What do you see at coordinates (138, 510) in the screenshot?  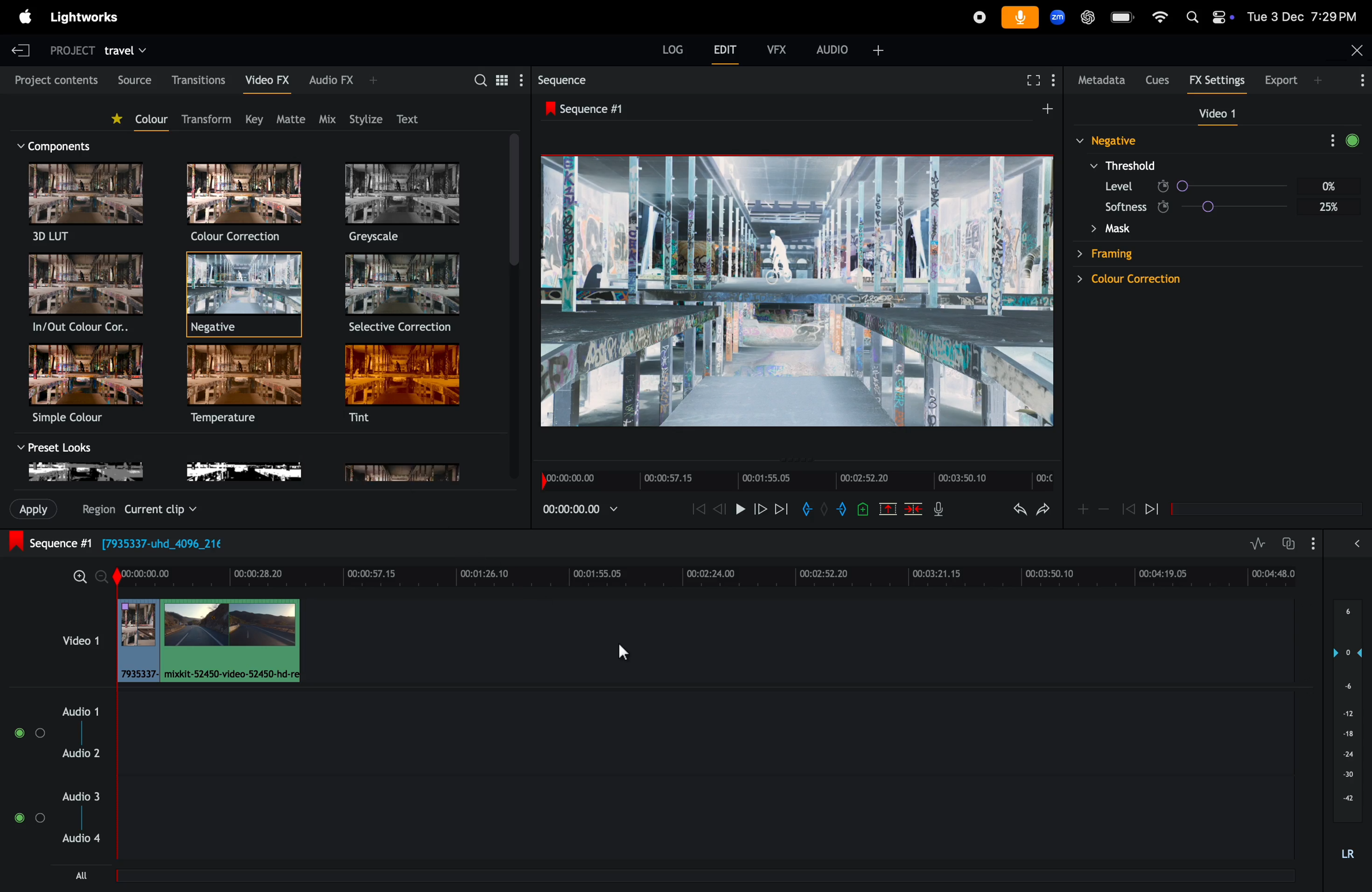 I see `` at bounding box center [138, 510].